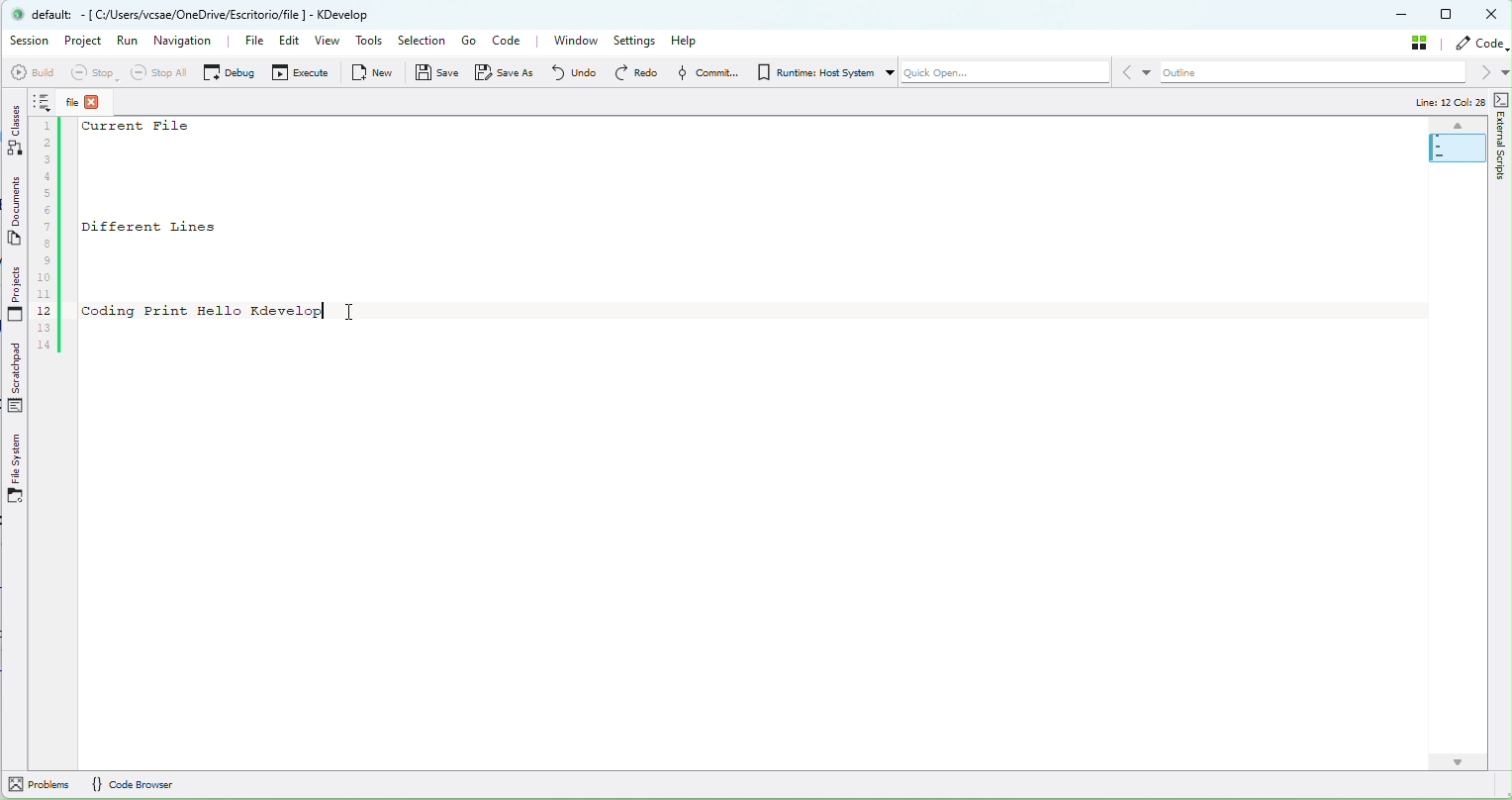 The width and height of the screenshot is (1512, 800). I want to click on Code Browser (Information), so click(139, 784).